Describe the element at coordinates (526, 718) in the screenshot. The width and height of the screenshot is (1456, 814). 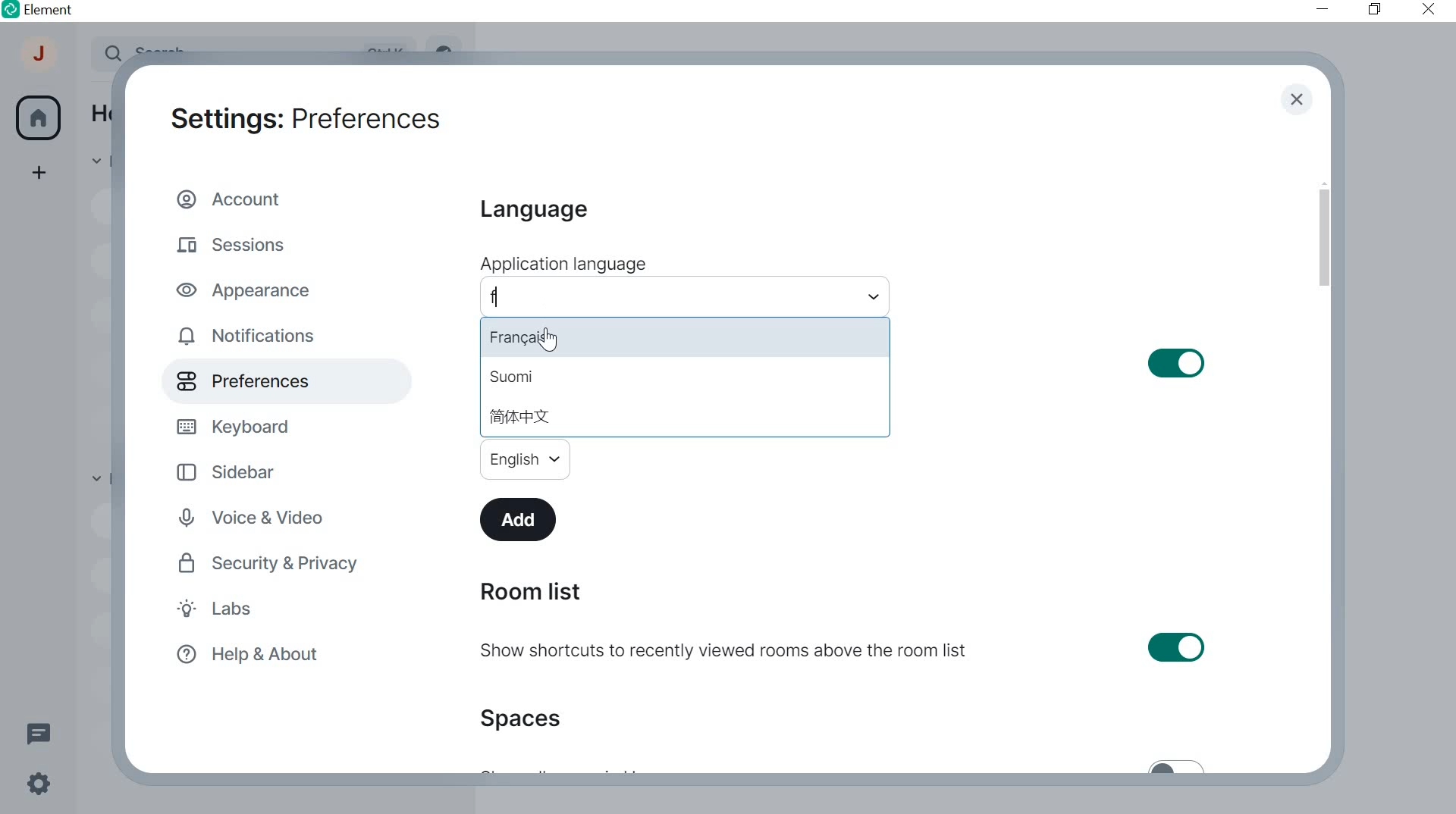
I see `Spaces` at that location.